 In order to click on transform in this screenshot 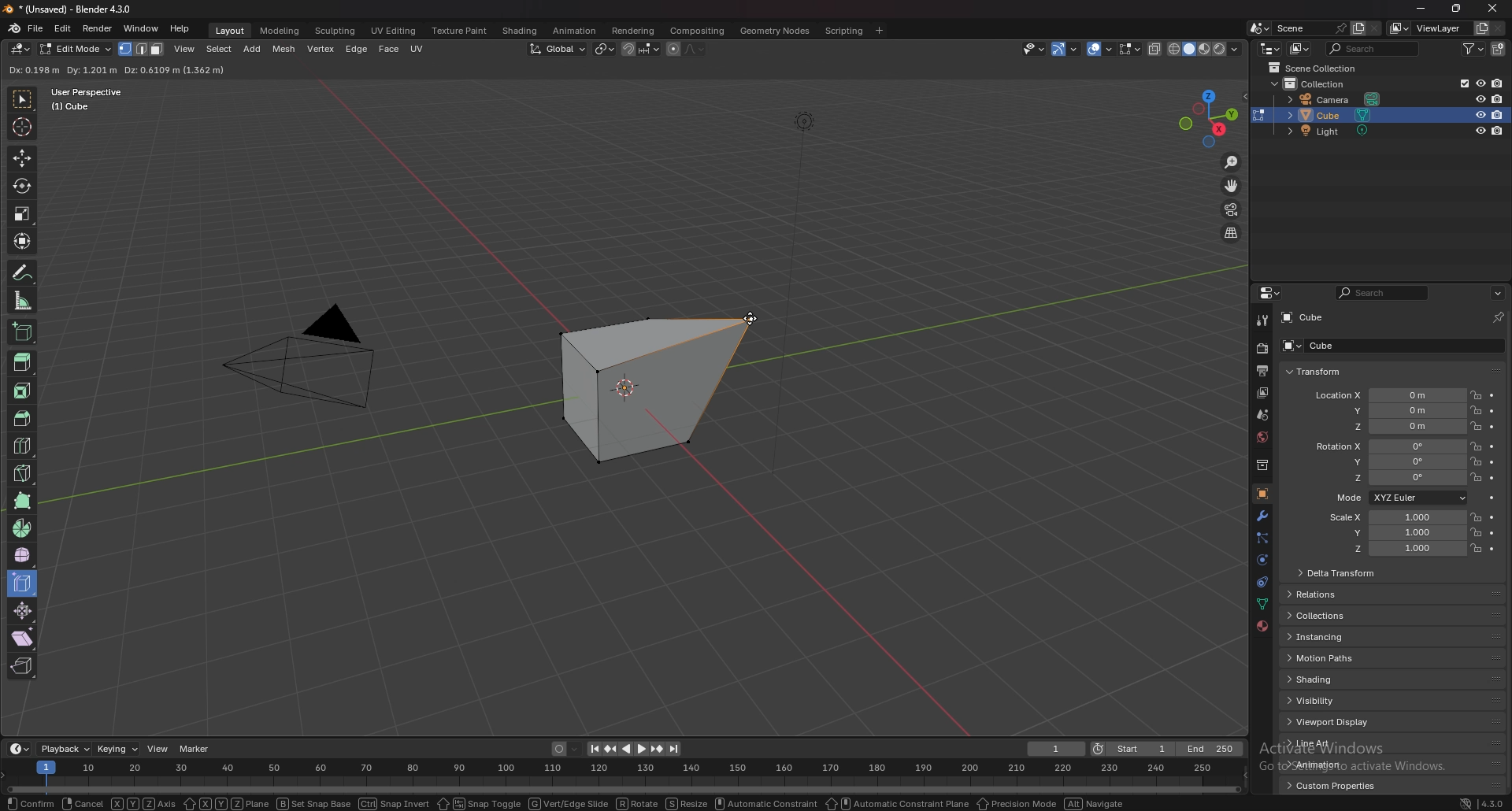, I will do `click(1316, 371)`.